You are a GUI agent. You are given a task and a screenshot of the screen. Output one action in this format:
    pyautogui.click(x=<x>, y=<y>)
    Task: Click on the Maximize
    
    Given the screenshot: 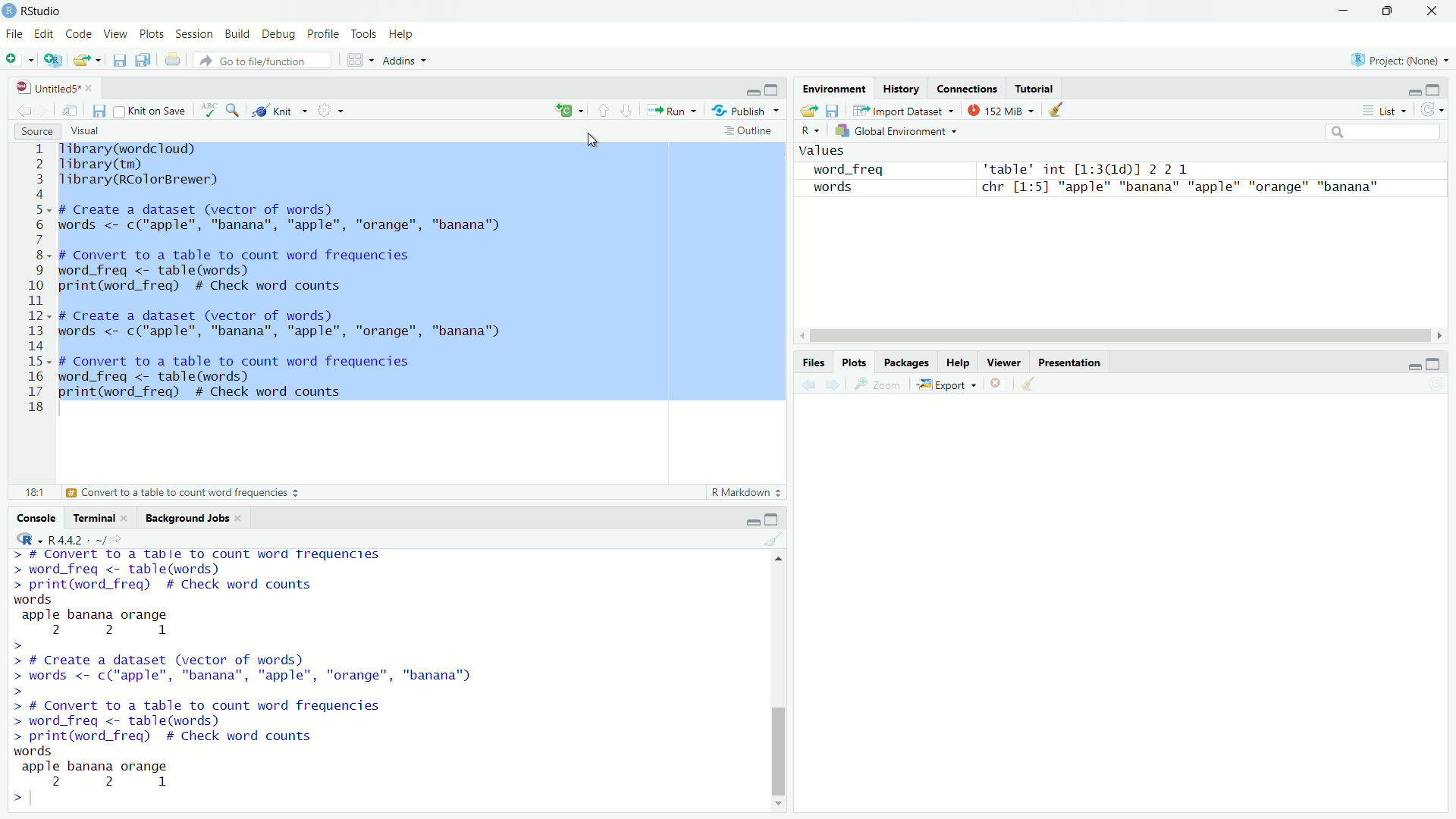 What is the action you would take?
    pyautogui.click(x=774, y=90)
    